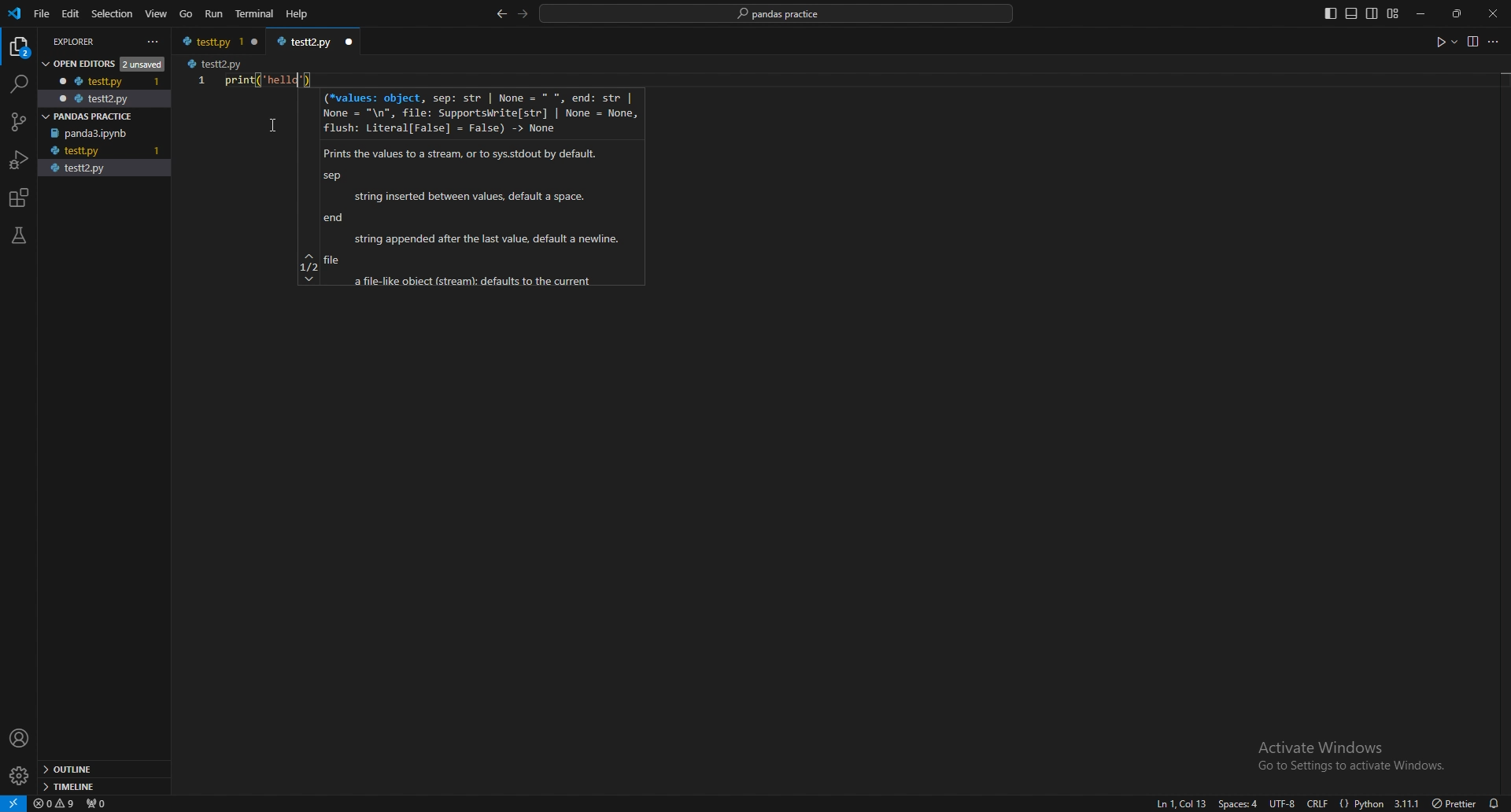 This screenshot has width=1511, height=812. I want to click on more actions, so click(153, 42).